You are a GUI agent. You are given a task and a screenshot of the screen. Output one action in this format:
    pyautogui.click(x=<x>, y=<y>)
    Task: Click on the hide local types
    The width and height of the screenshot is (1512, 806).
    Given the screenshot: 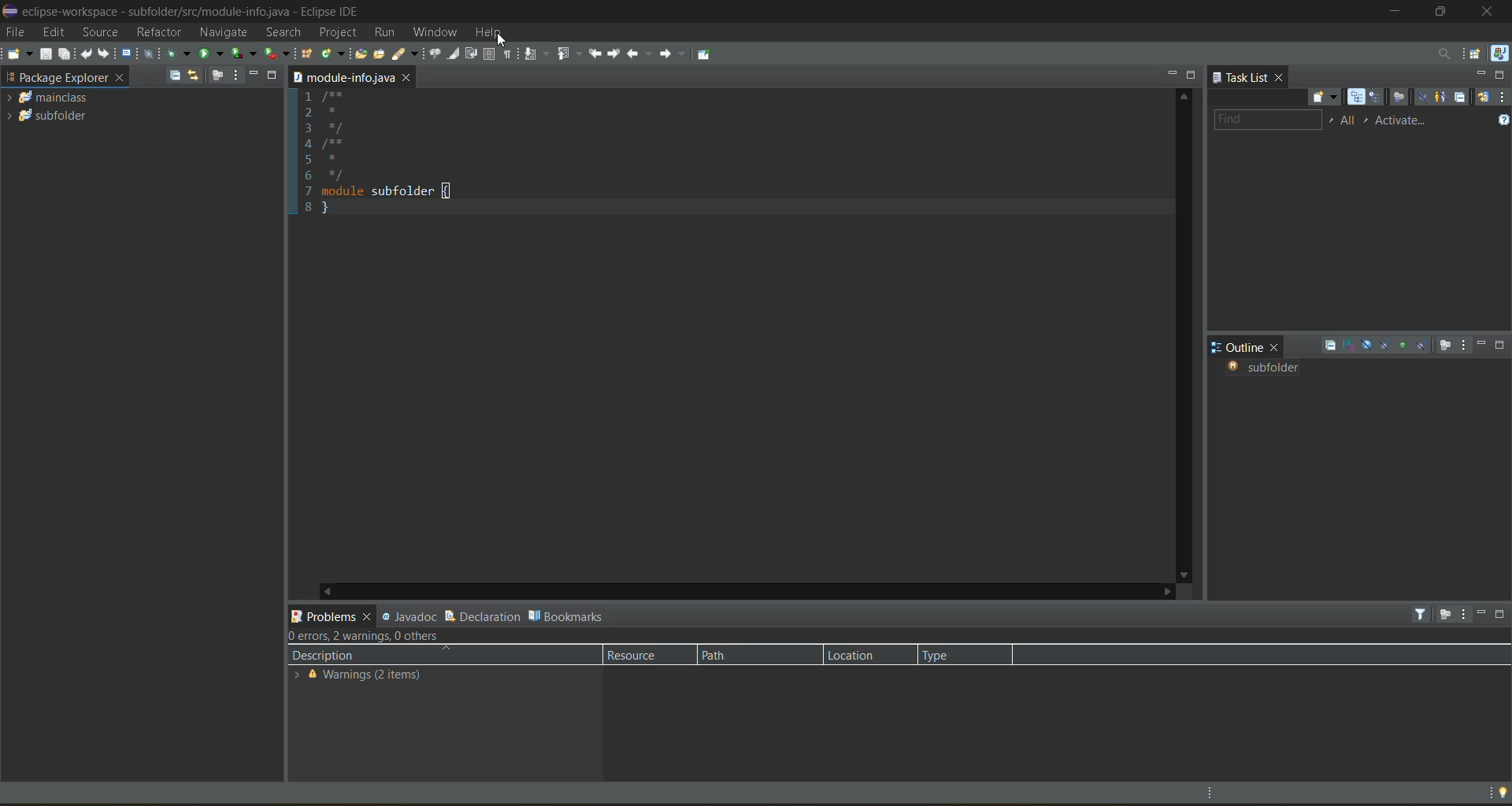 What is the action you would take?
    pyautogui.click(x=1425, y=345)
    